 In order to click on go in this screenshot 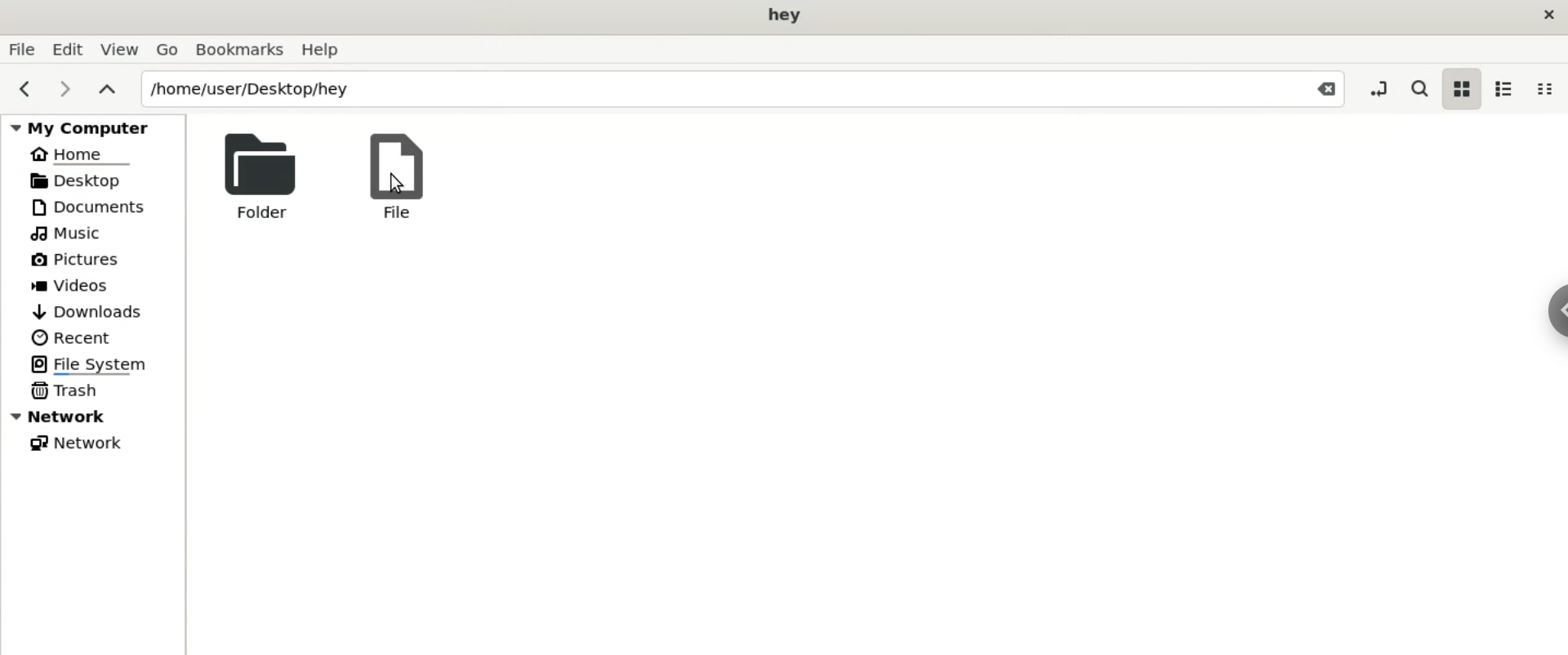, I will do `click(167, 50)`.